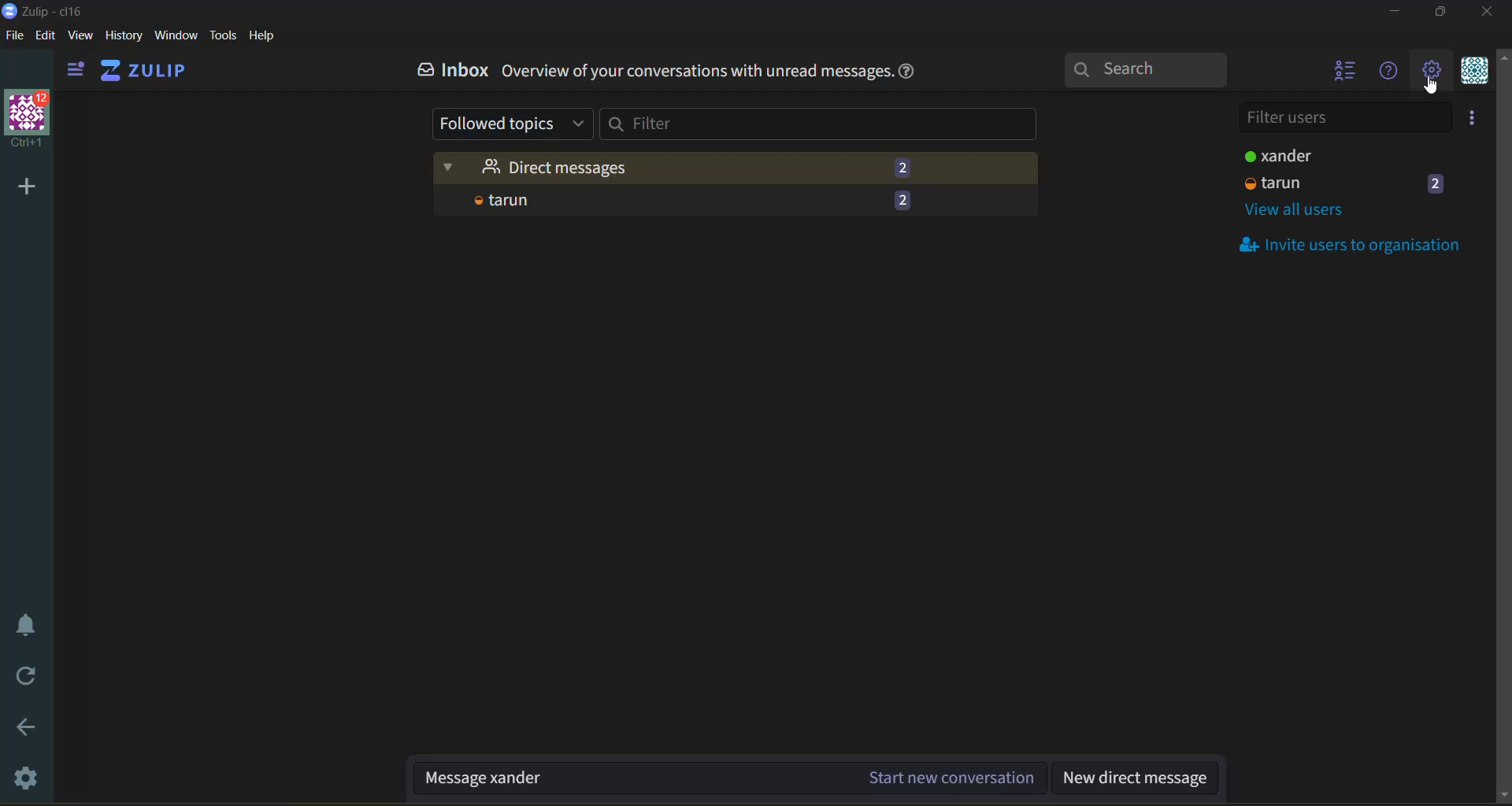 This screenshot has height=806, width=1512. I want to click on option to invite users to organisation, so click(1477, 117).